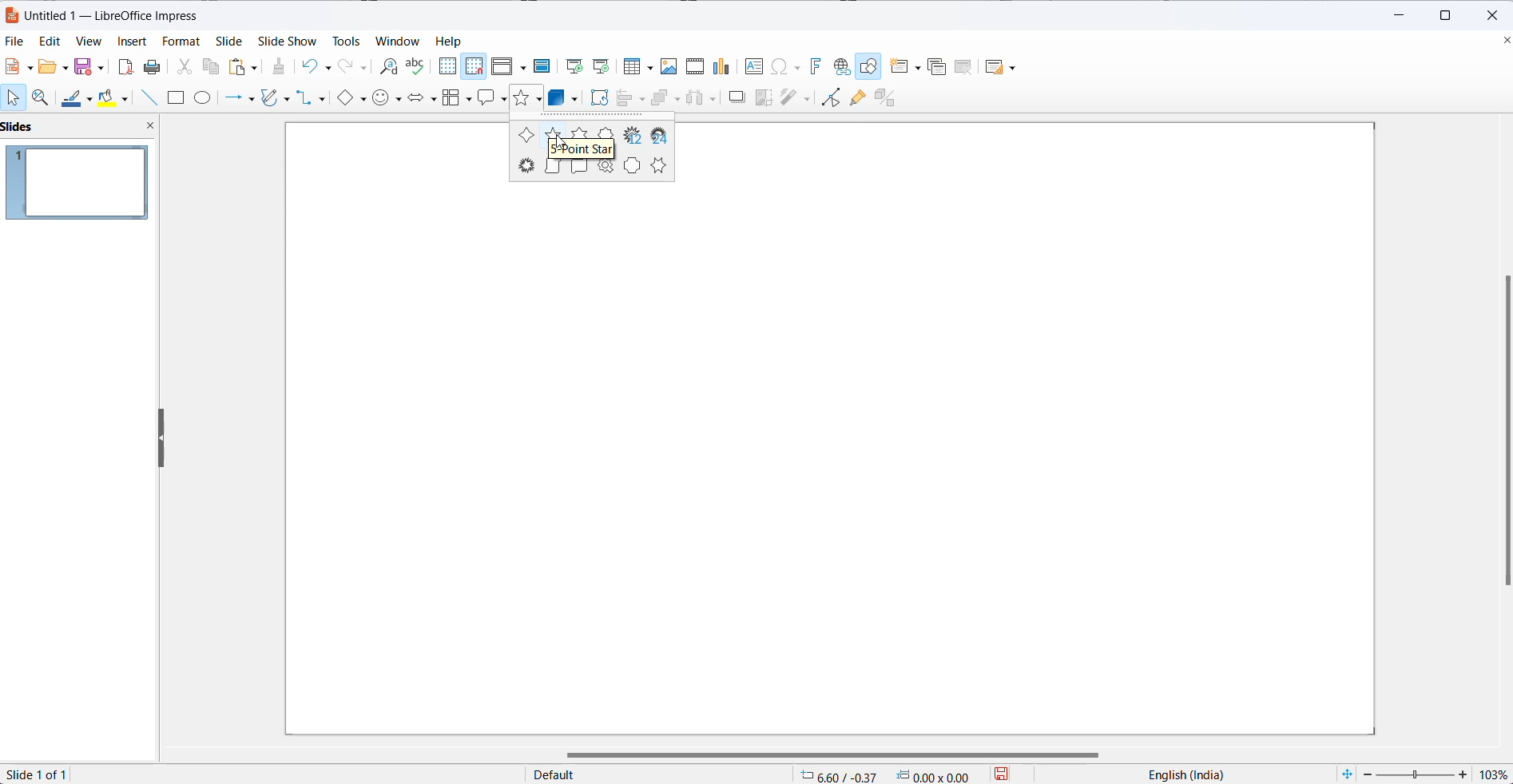 Image resolution: width=1513 pixels, height=784 pixels. Describe the element at coordinates (636, 68) in the screenshot. I see `insert table` at that location.